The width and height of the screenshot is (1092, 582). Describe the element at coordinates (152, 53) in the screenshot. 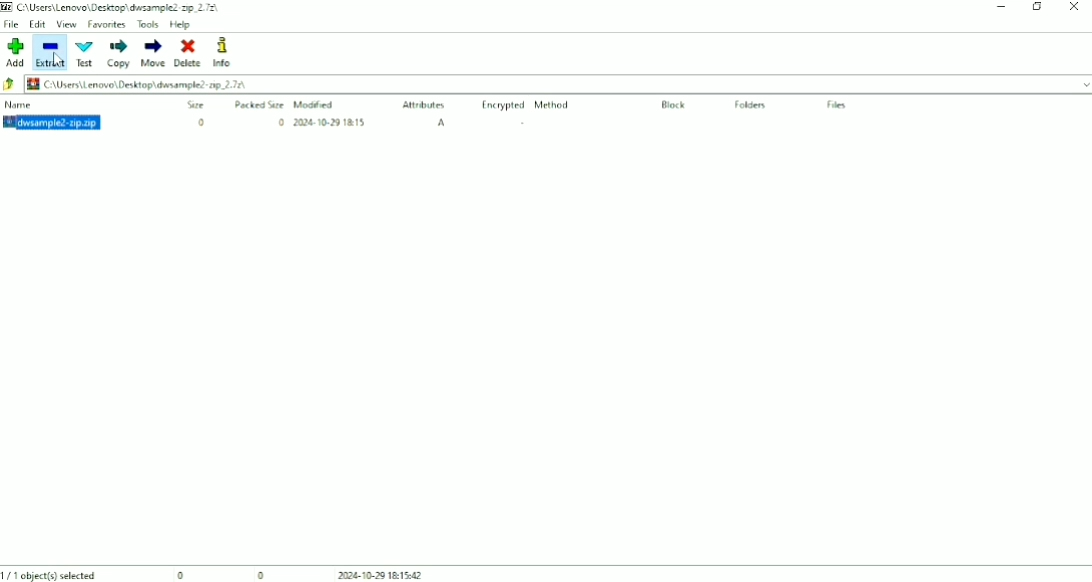

I see `Move` at that location.